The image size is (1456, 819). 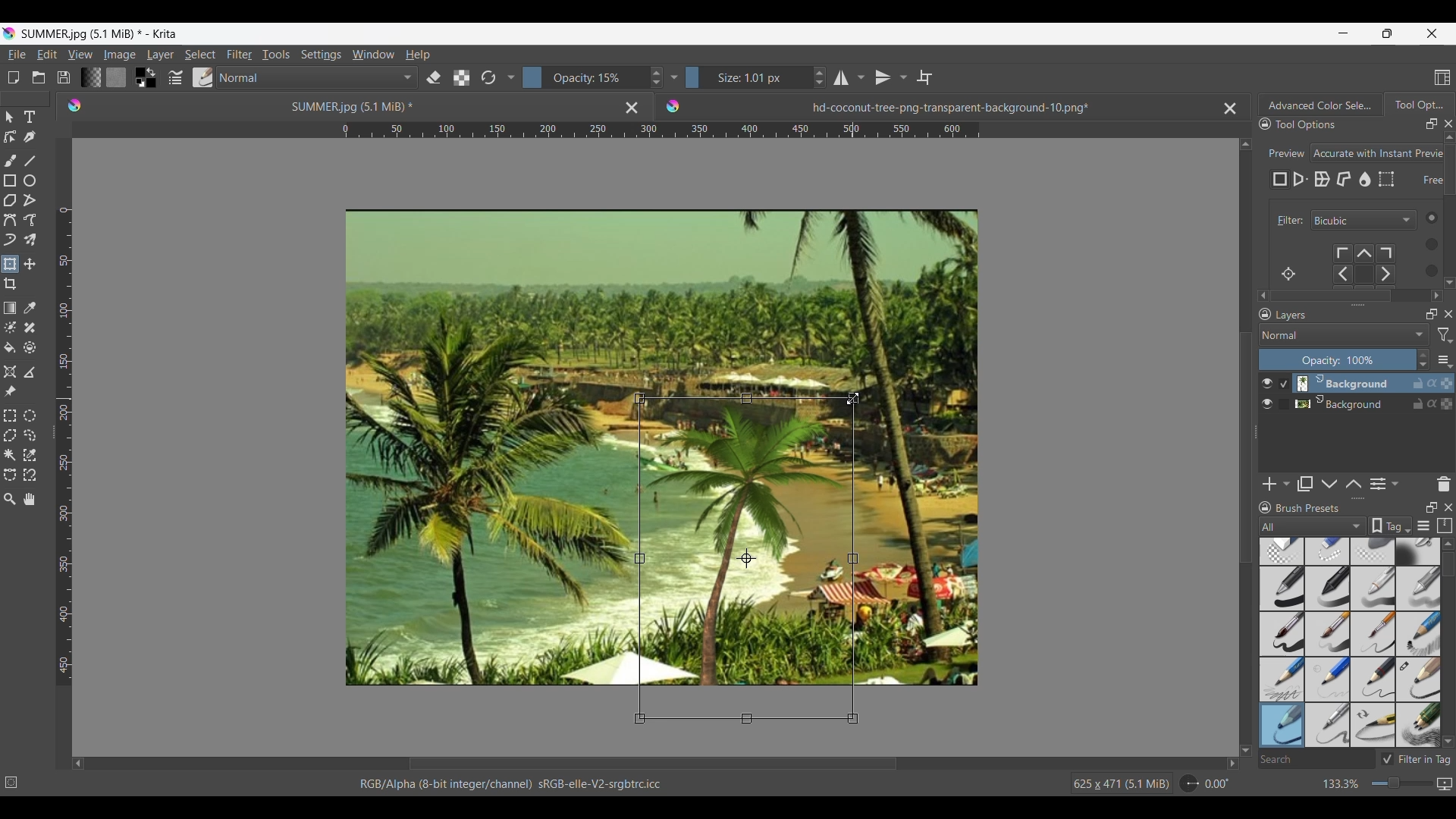 What do you see at coordinates (1283, 634) in the screenshot?
I see `basic 5-size` at bounding box center [1283, 634].